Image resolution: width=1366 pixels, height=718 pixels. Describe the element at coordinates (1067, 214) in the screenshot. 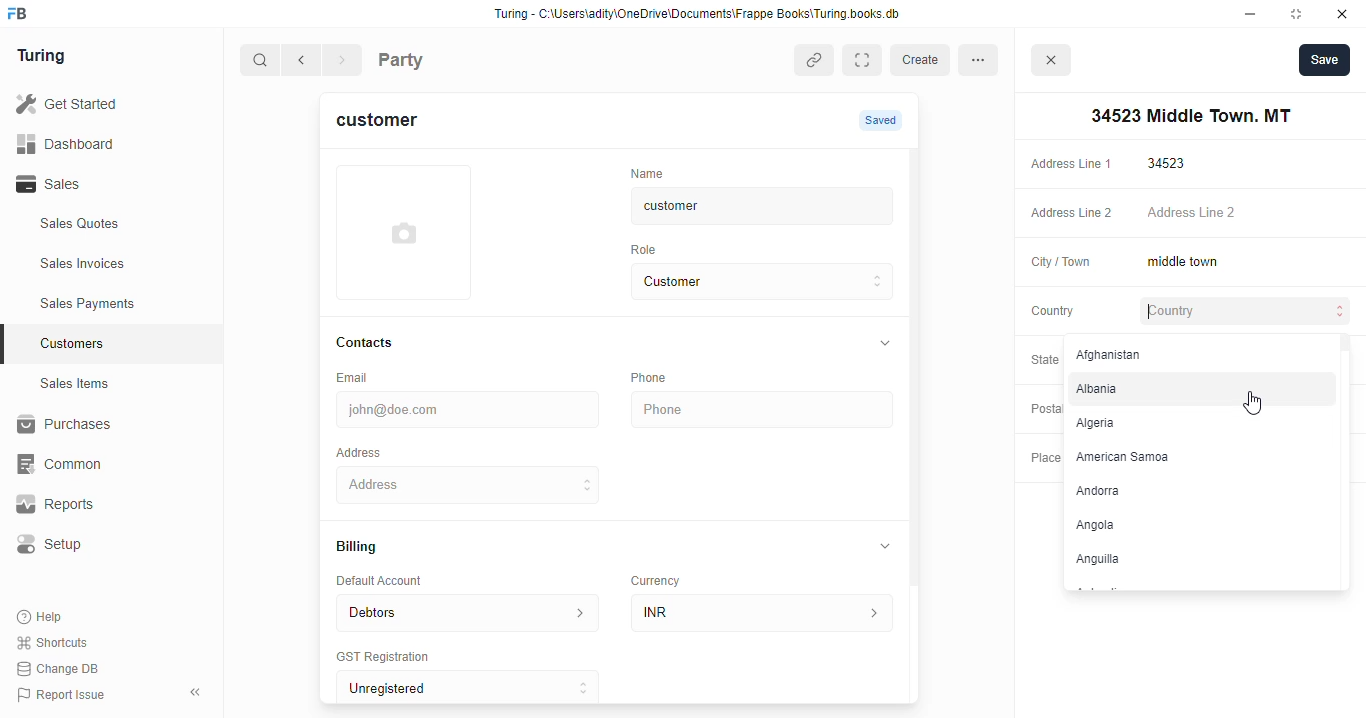

I see `Address Line 2` at that location.